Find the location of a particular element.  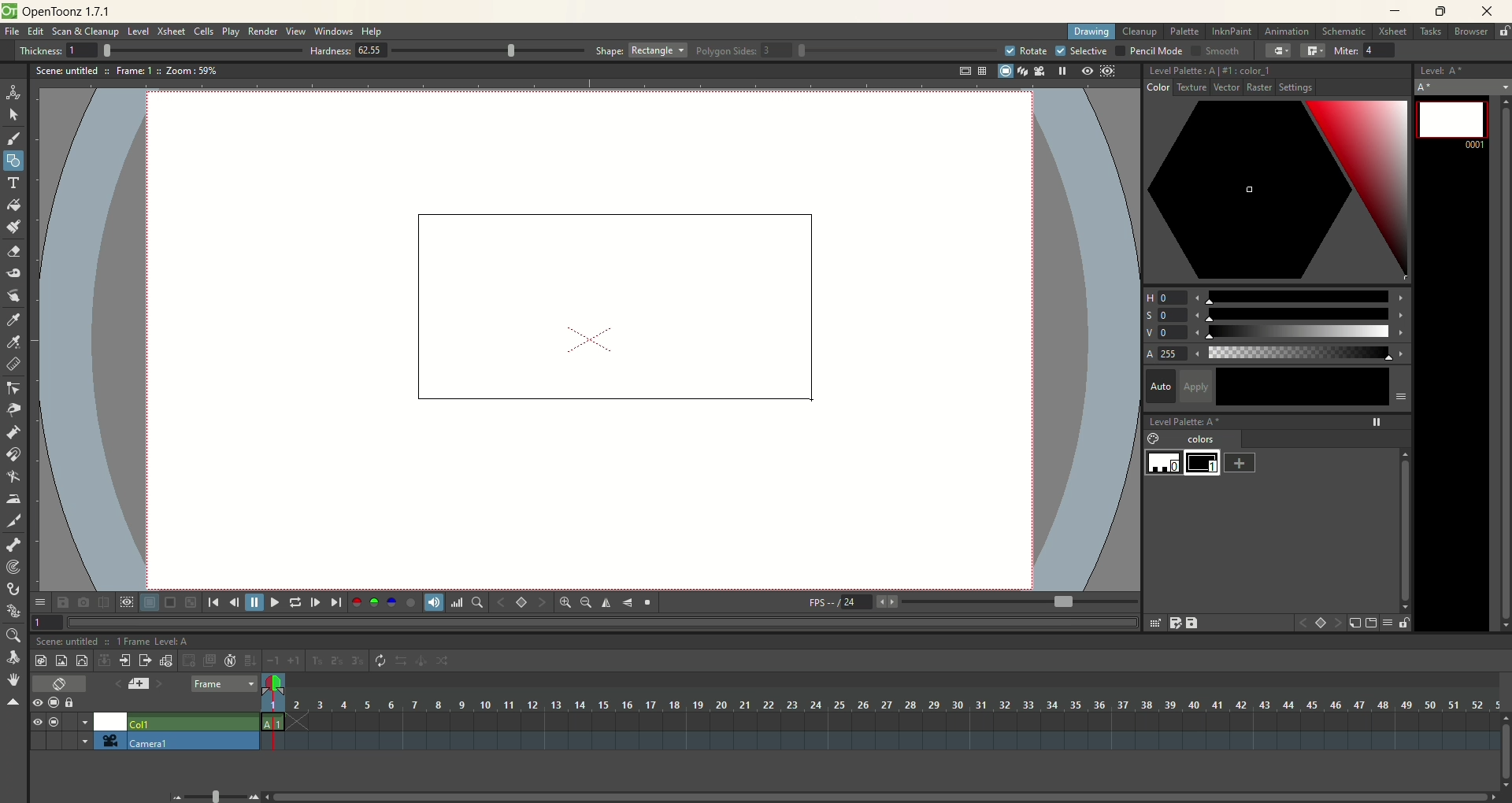

logo is located at coordinates (9, 11).